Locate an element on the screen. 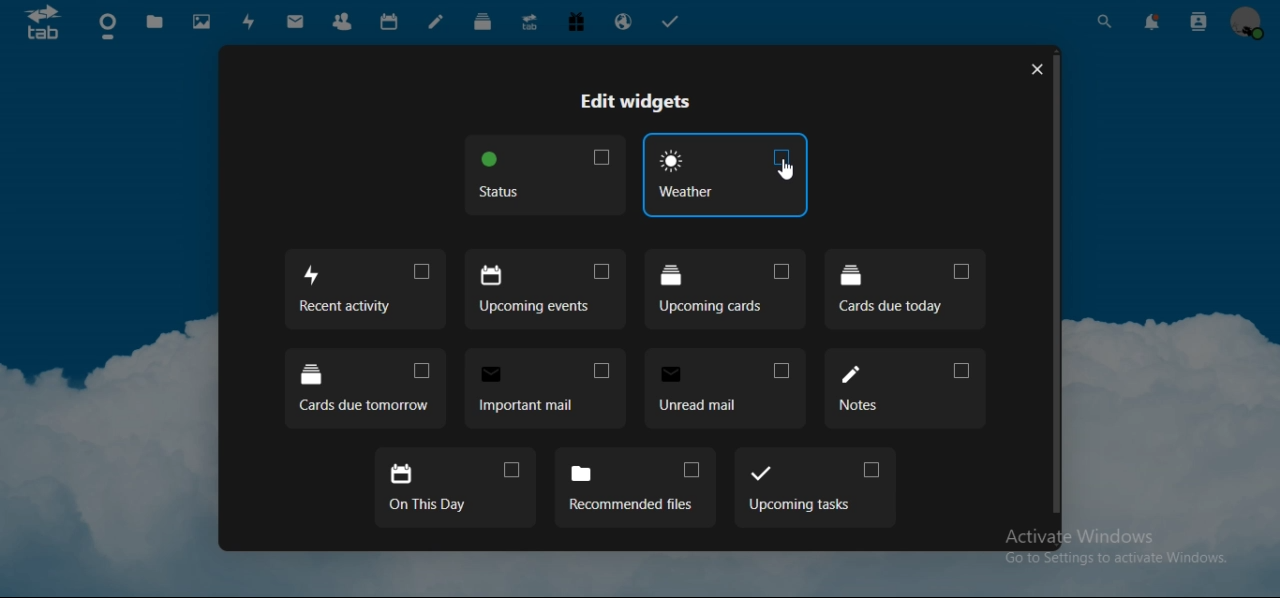  upgrade is located at coordinates (530, 23).